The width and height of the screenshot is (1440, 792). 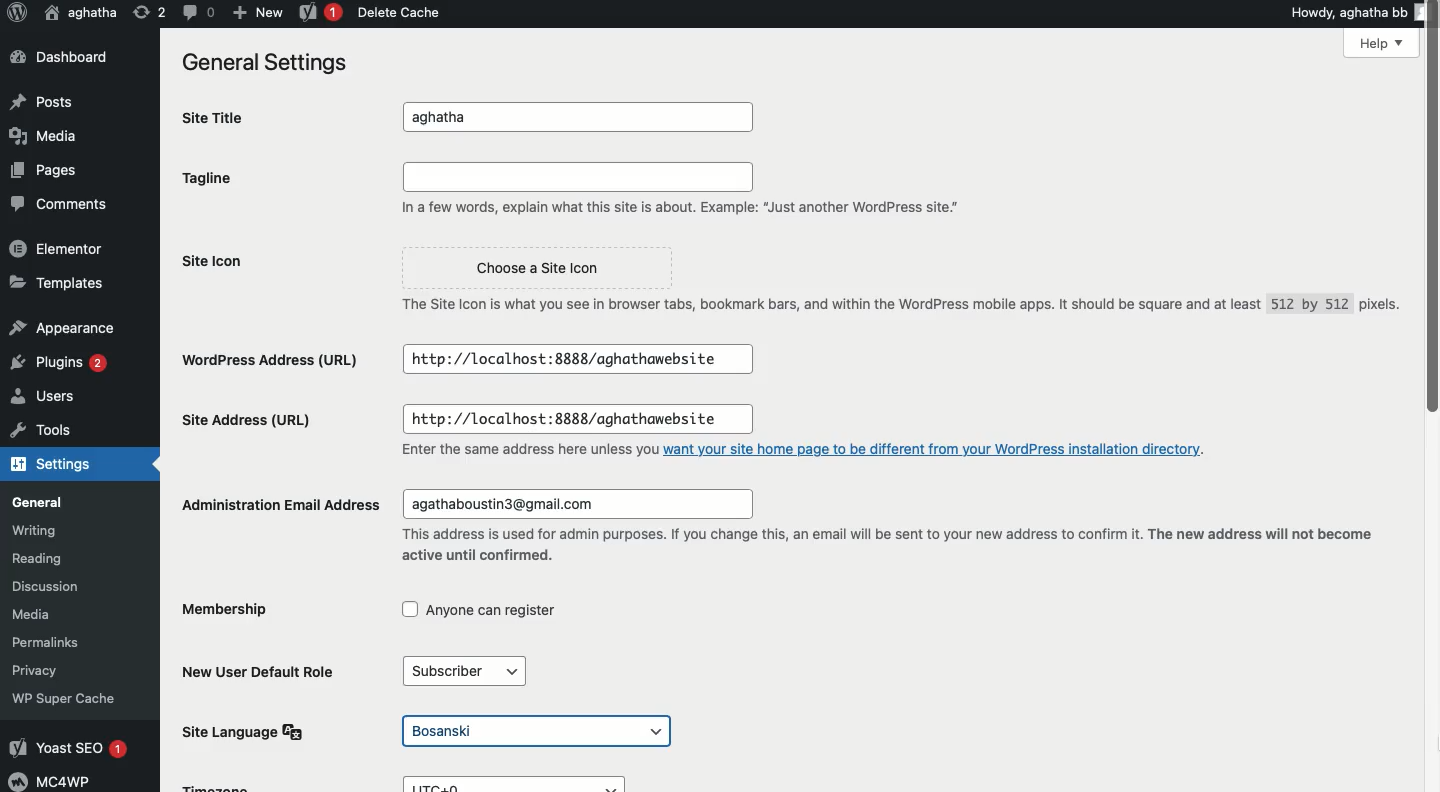 I want to click on UTC + 0, so click(x=522, y=784).